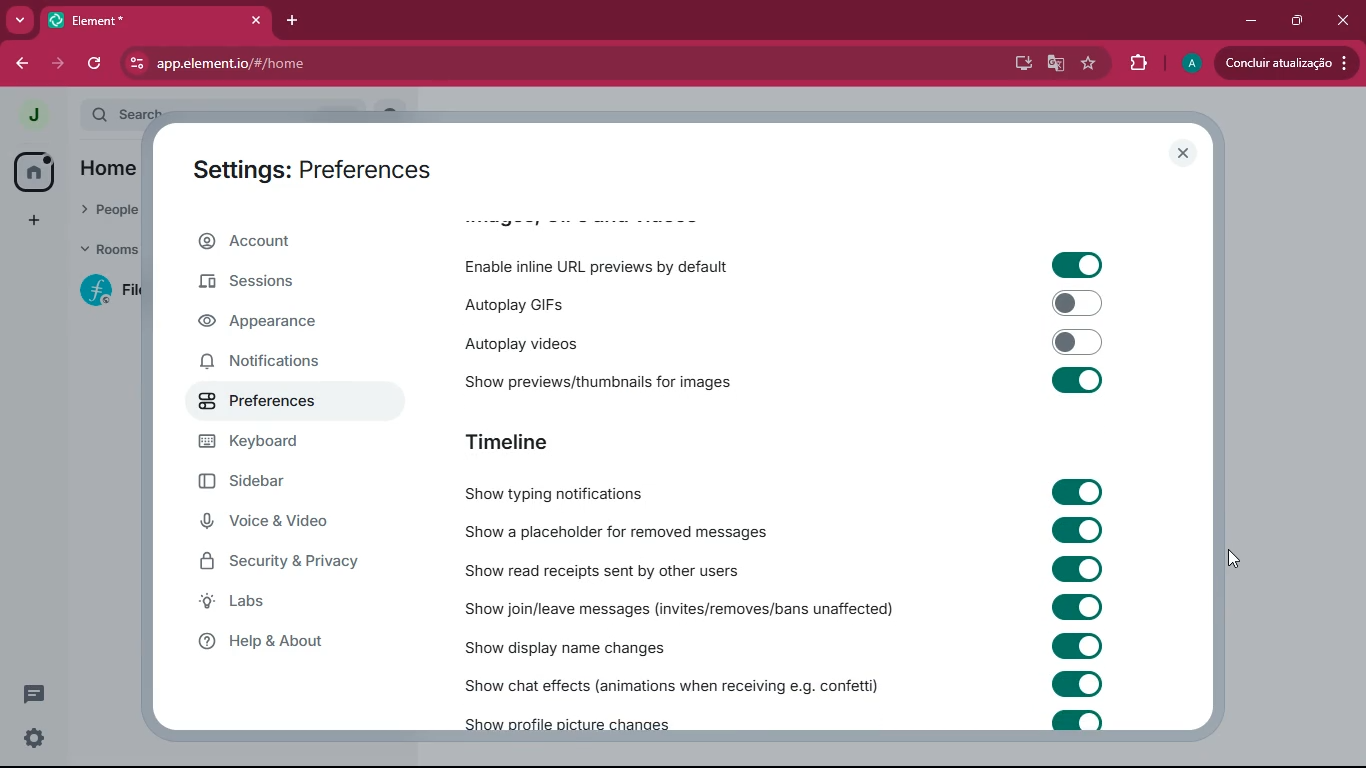 This screenshot has width=1366, height=768. I want to click on profile picture, so click(1195, 61).